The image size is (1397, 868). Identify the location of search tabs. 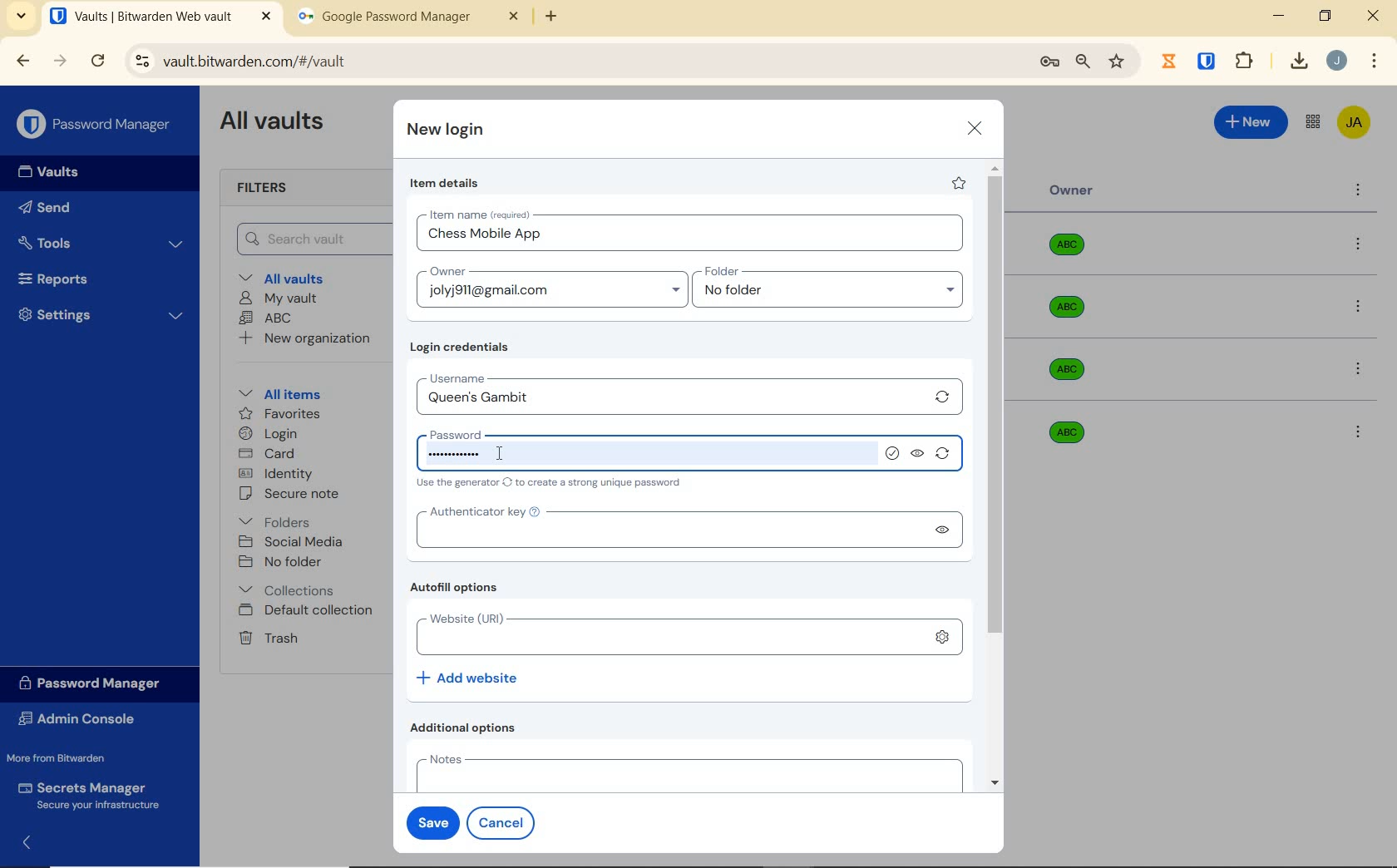
(21, 18).